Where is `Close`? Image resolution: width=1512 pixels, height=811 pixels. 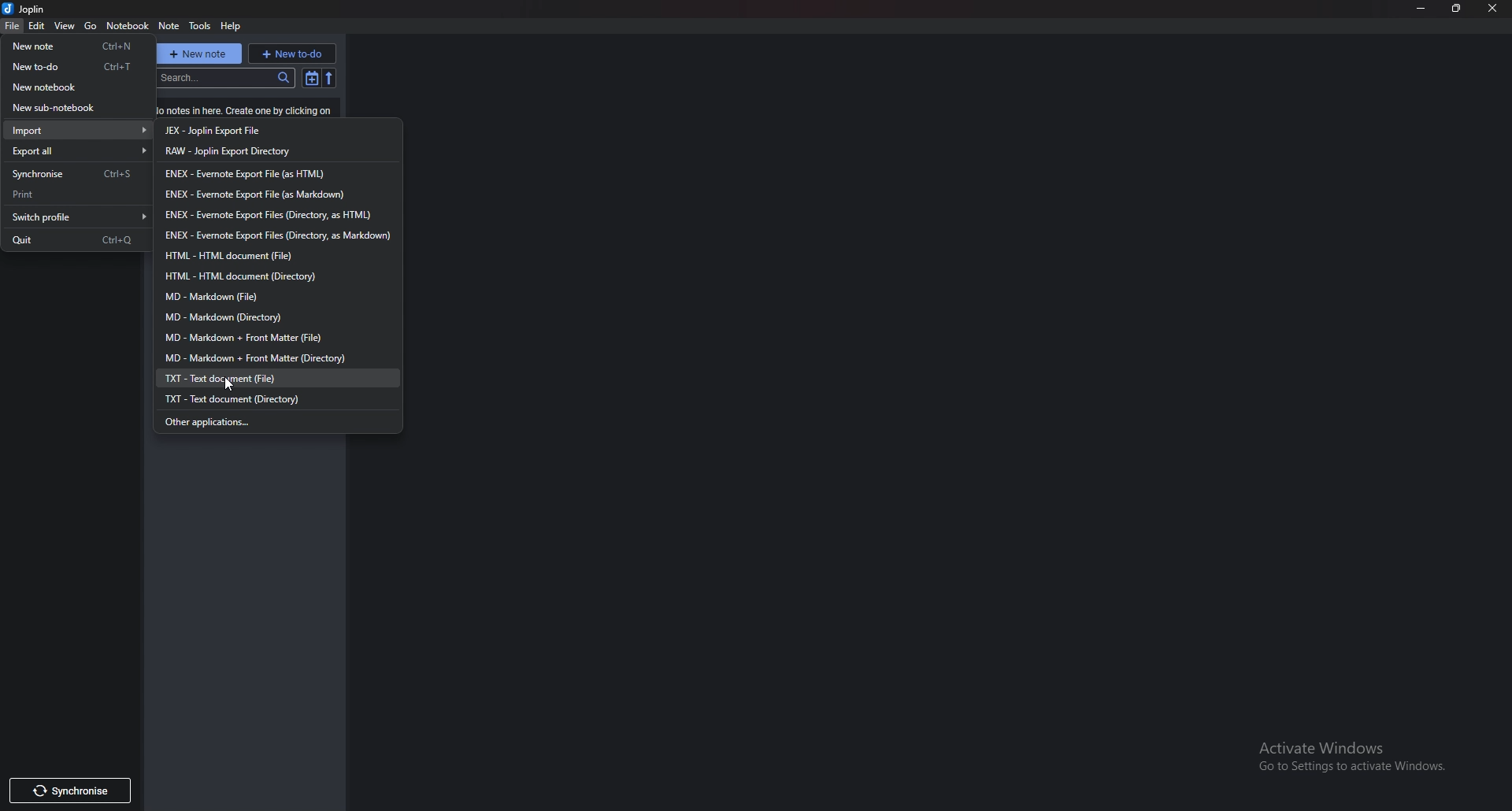 Close is located at coordinates (1492, 9).